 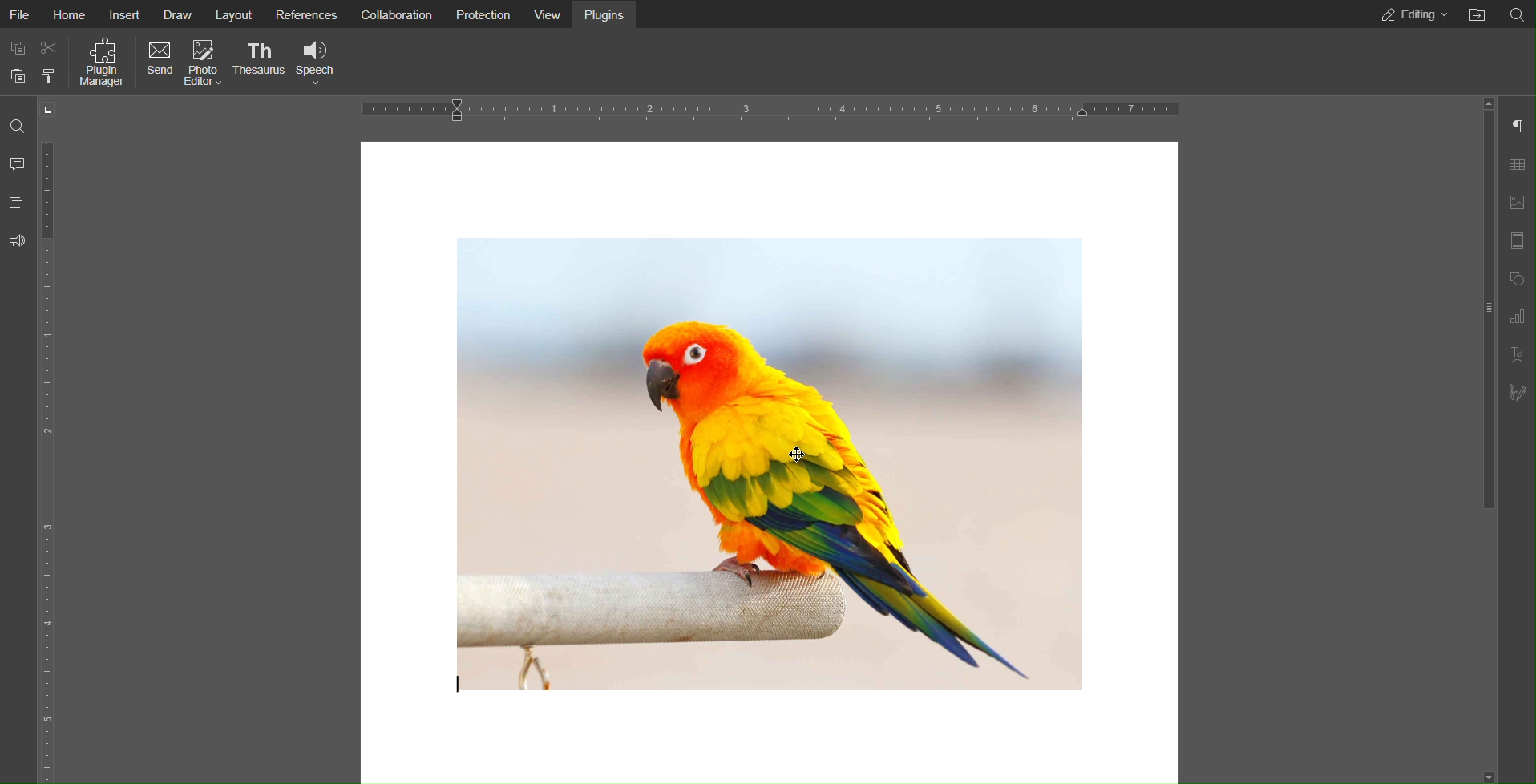 What do you see at coordinates (768, 463) in the screenshot?
I see `image of a bird perching on a wooden handle` at bounding box center [768, 463].